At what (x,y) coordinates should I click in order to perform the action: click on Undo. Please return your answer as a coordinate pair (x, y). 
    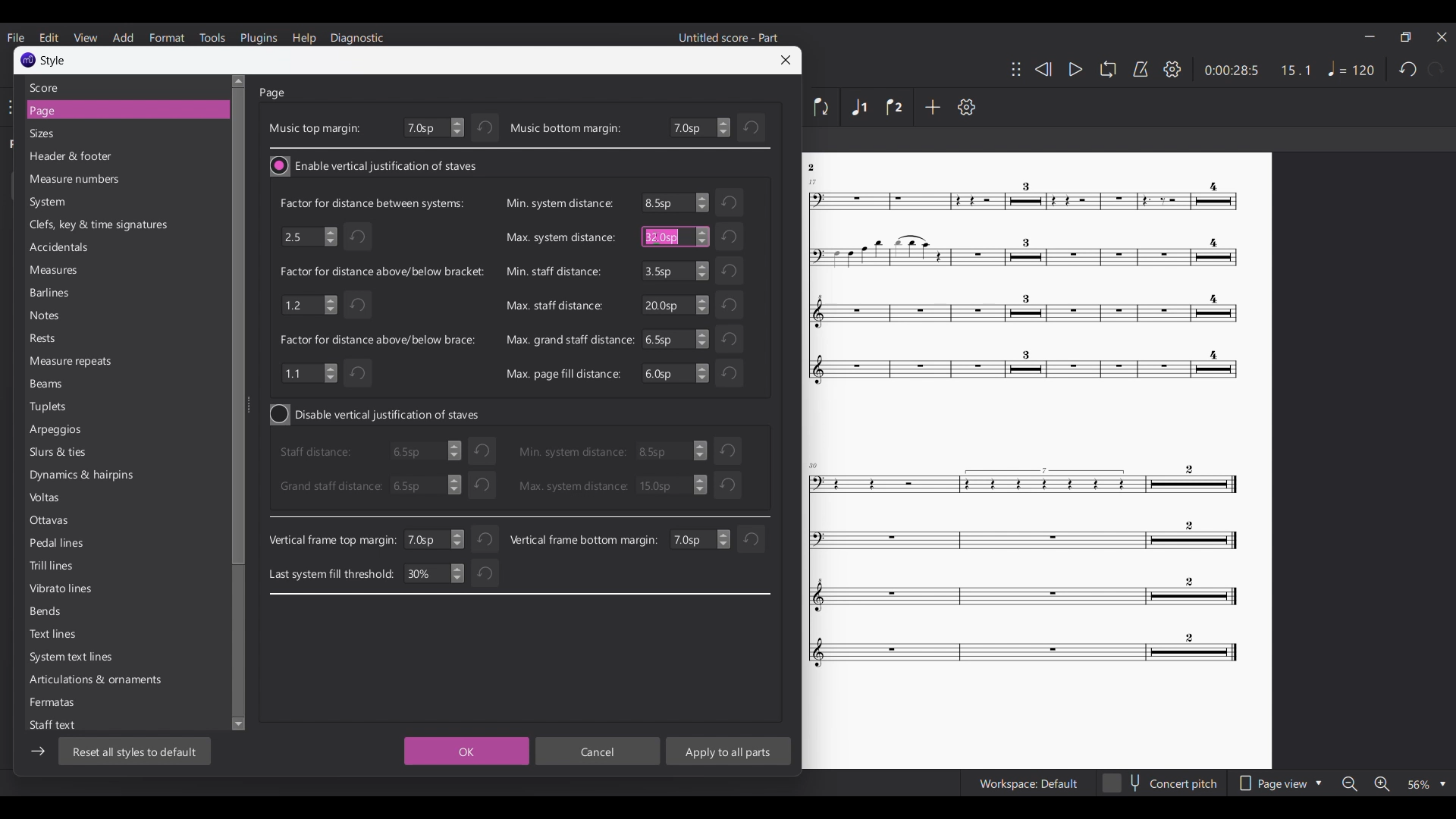
    Looking at the image, I should click on (482, 576).